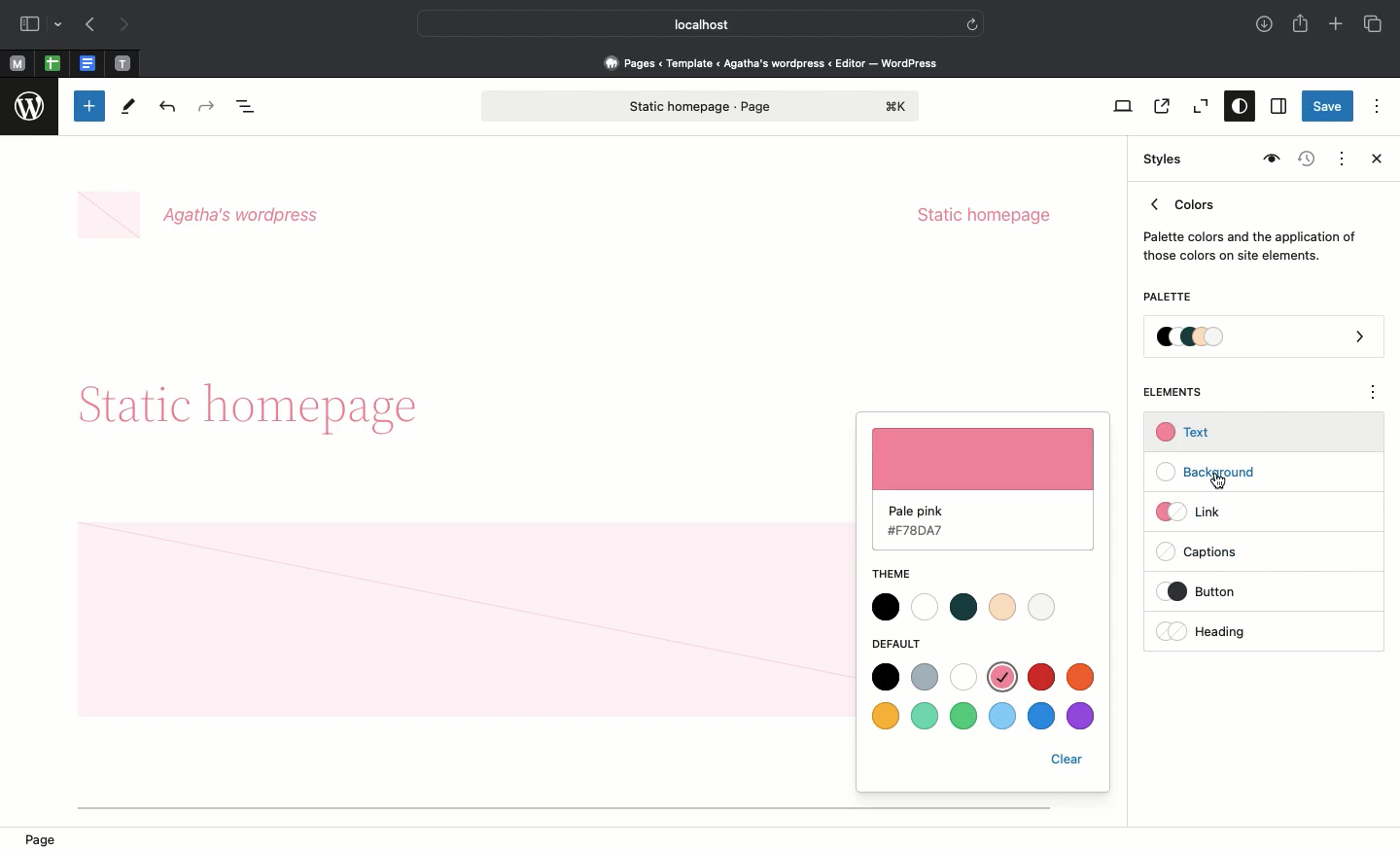  Describe the element at coordinates (1265, 338) in the screenshot. I see `Palette` at that location.